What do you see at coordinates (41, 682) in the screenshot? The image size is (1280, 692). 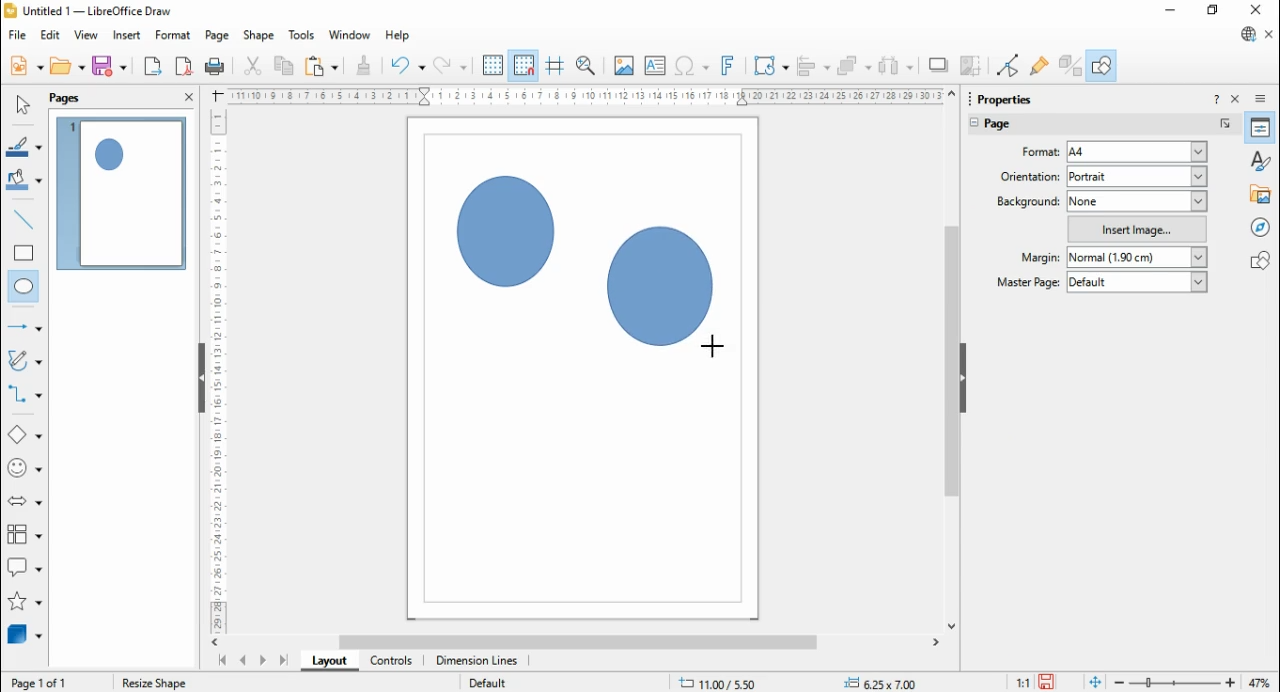 I see `Page 10f 1` at bounding box center [41, 682].